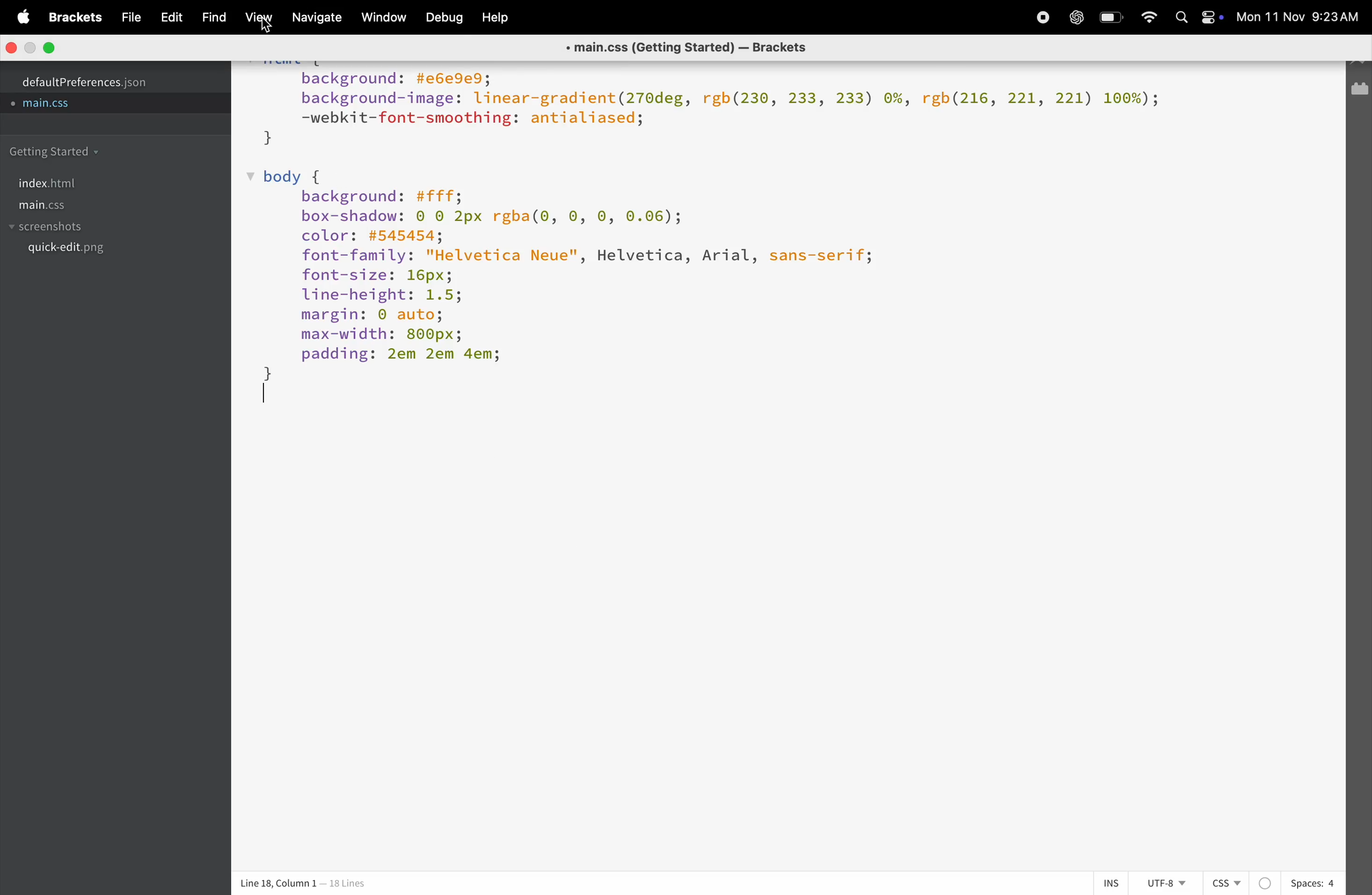 This screenshot has height=895, width=1372. What do you see at coordinates (1166, 883) in the screenshot?
I see `utf` at bounding box center [1166, 883].